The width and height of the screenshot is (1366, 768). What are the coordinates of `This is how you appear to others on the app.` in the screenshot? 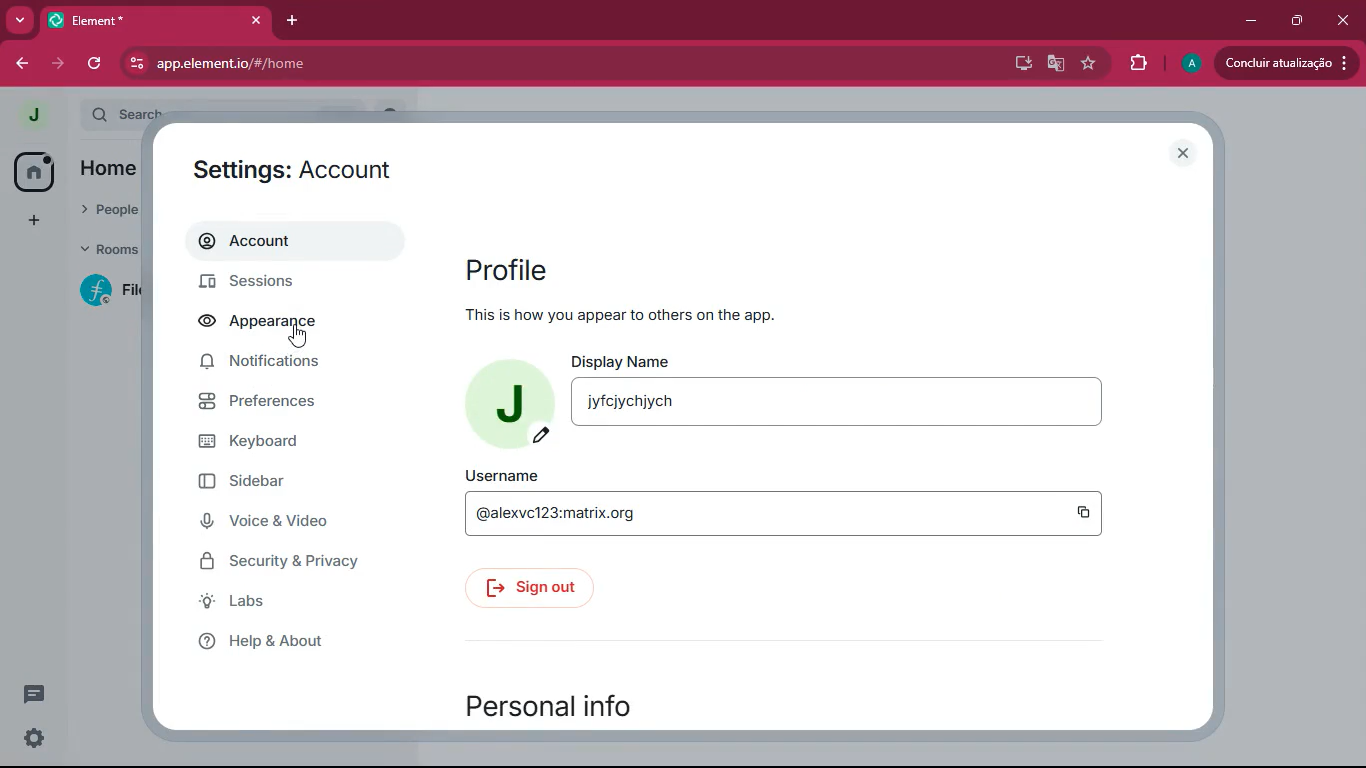 It's located at (618, 314).